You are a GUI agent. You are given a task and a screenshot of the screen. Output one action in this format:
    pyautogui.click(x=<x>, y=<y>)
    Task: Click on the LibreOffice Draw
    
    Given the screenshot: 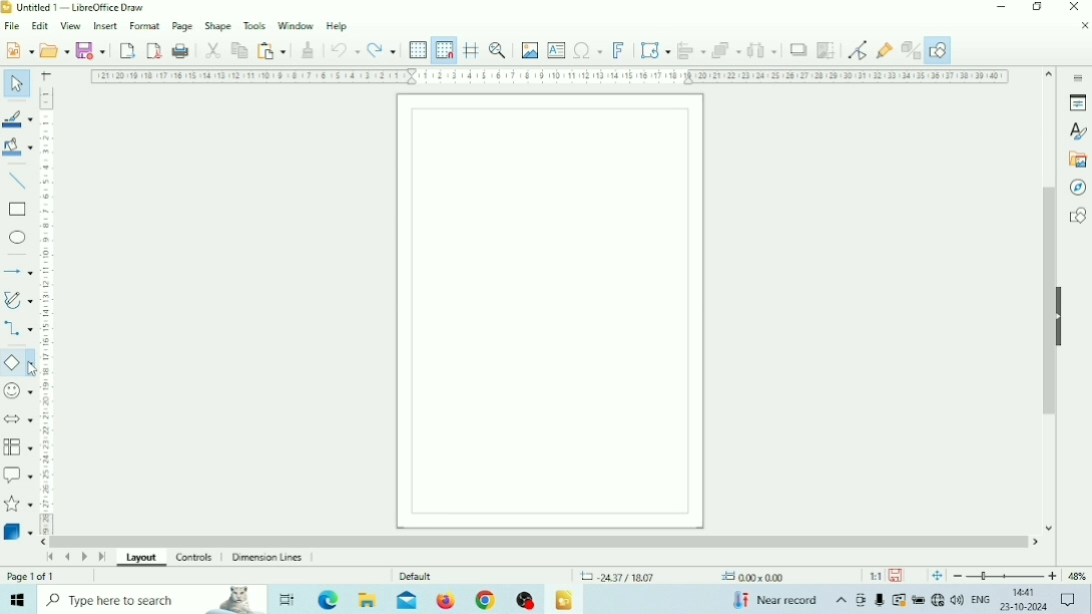 What is the action you would take?
    pyautogui.click(x=564, y=600)
    